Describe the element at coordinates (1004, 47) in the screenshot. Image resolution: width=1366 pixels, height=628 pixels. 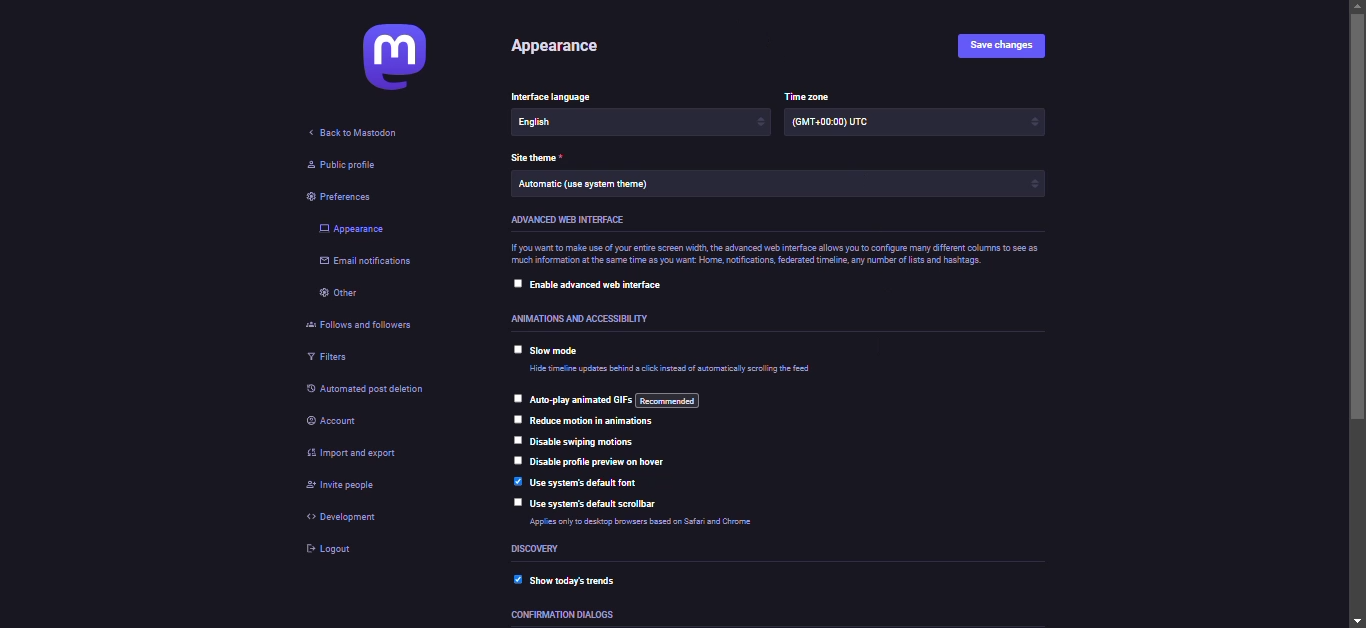
I see `save changes` at that location.